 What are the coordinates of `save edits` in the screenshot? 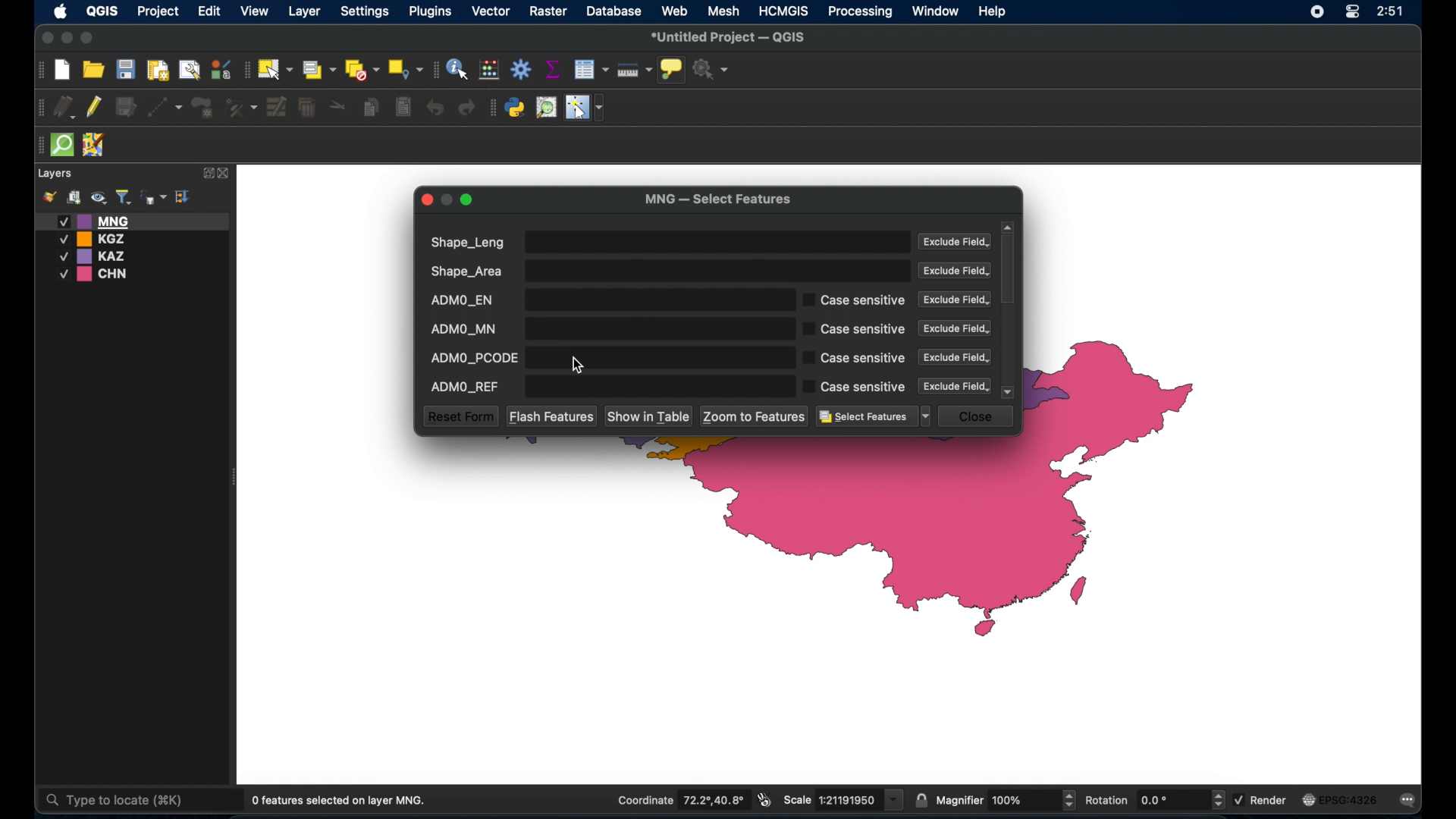 It's located at (128, 108).